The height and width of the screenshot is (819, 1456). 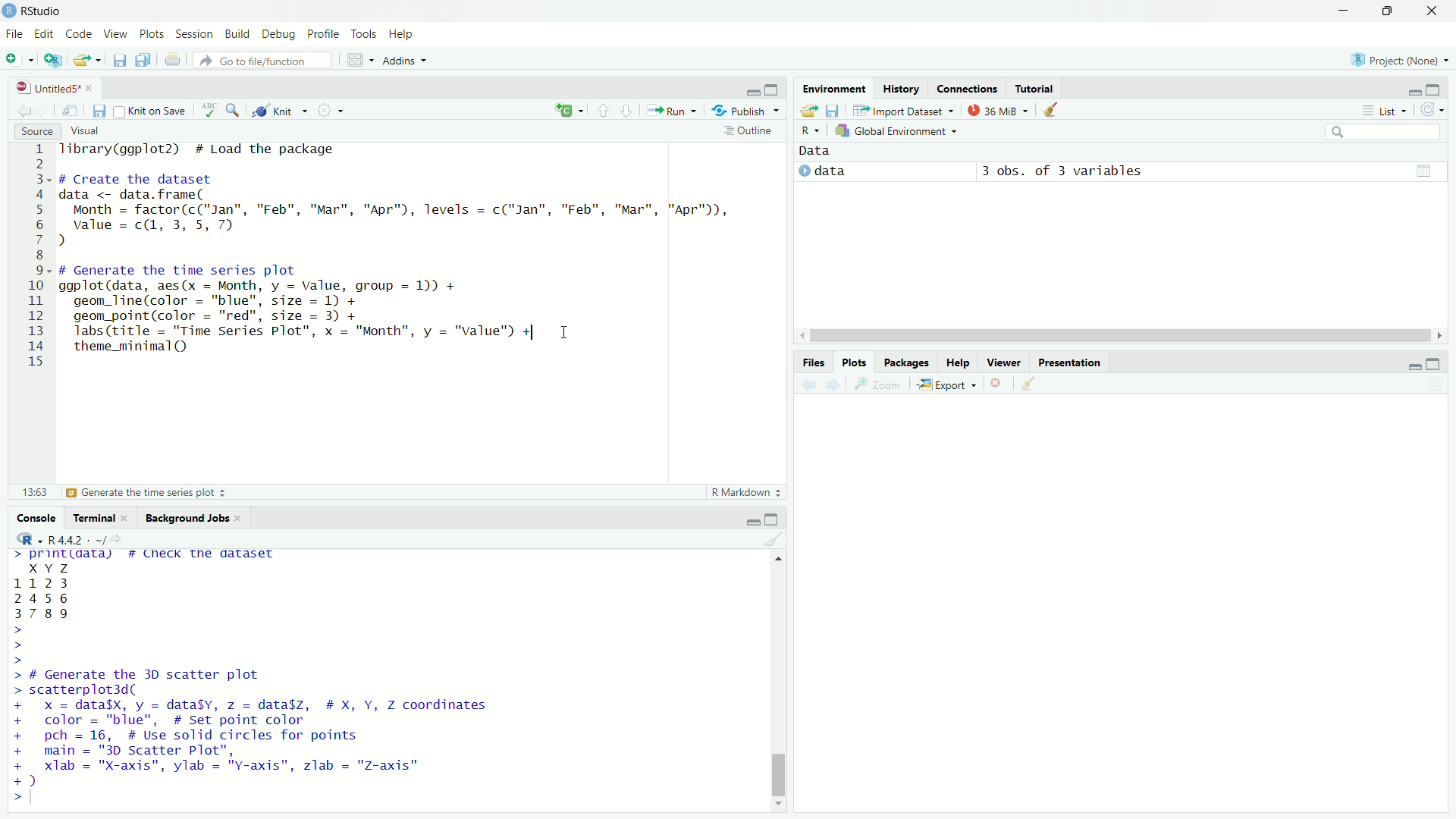 What do you see at coordinates (1441, 362) in the screenshot?
I see `maximize` at bounding box center [1441, 362].